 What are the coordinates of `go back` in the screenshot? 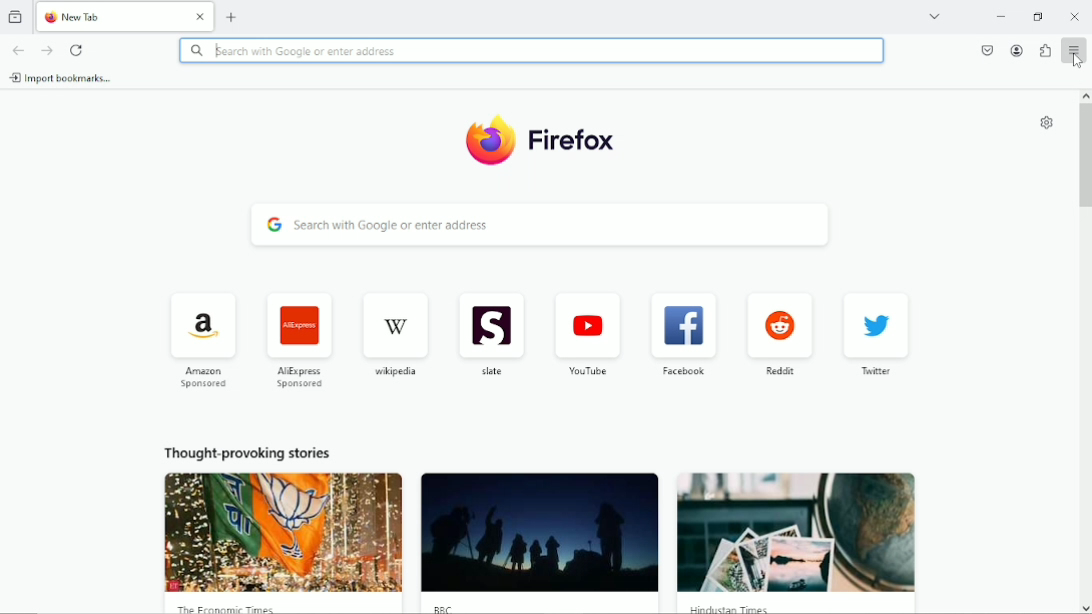 It's located at (17, 49).